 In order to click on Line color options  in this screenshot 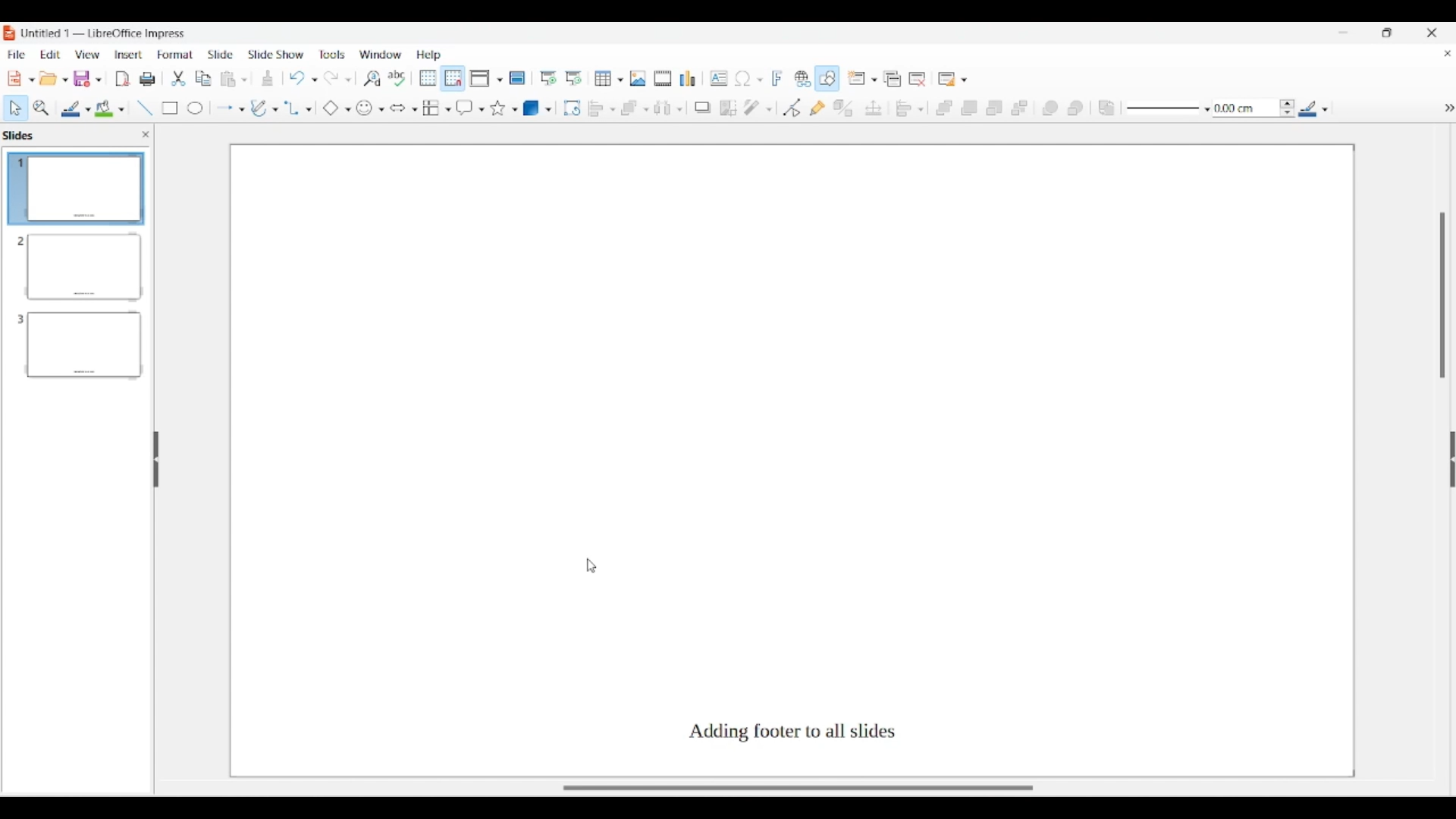, I will do `click(76, 109)`.